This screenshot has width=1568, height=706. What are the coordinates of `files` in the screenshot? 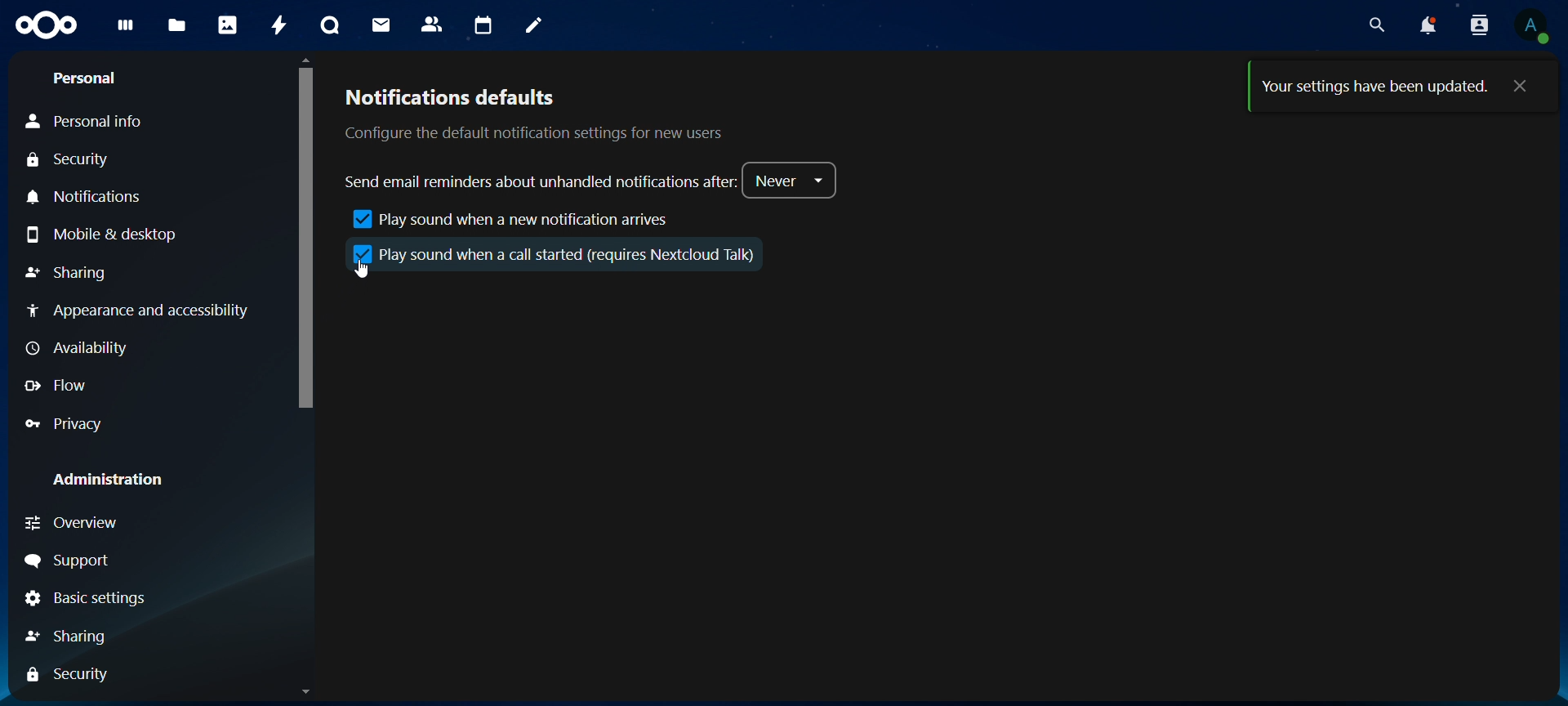 It's located at (176, 25).